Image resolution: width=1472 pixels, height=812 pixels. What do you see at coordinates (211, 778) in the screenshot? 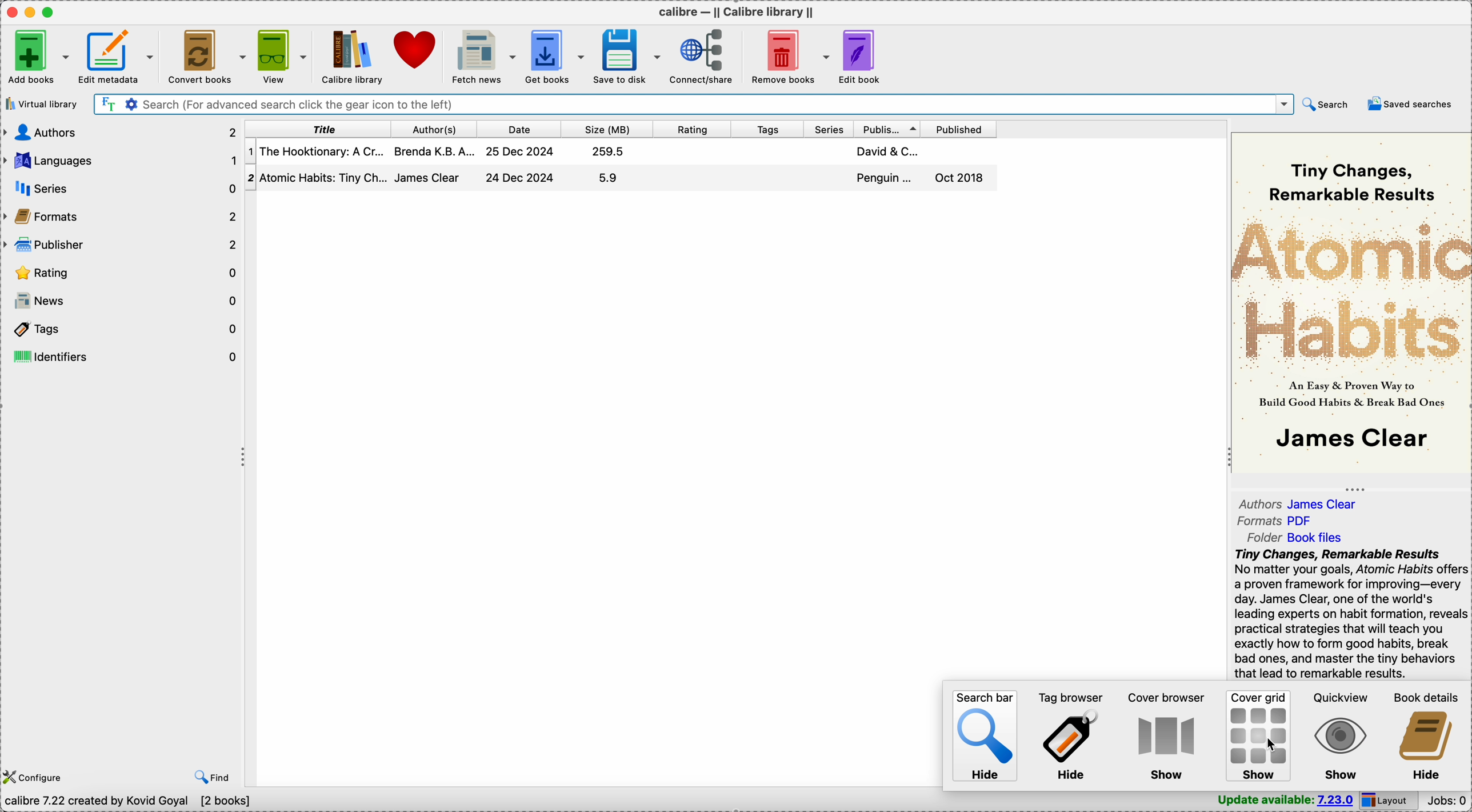
I see `find` at bounding box center [211, 778].